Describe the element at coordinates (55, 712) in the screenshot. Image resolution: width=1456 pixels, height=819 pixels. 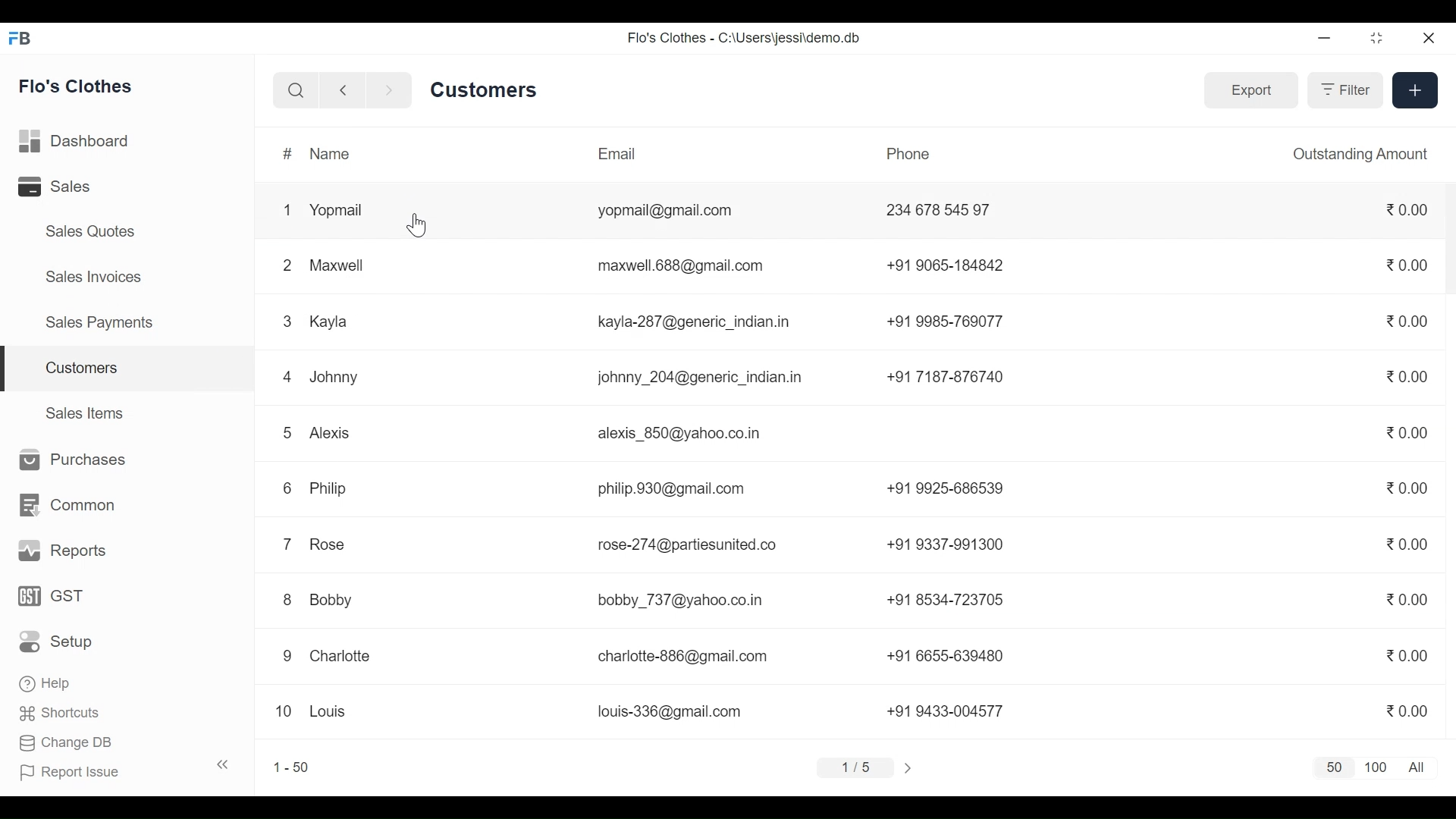
I see `Shortcuts` at that location.